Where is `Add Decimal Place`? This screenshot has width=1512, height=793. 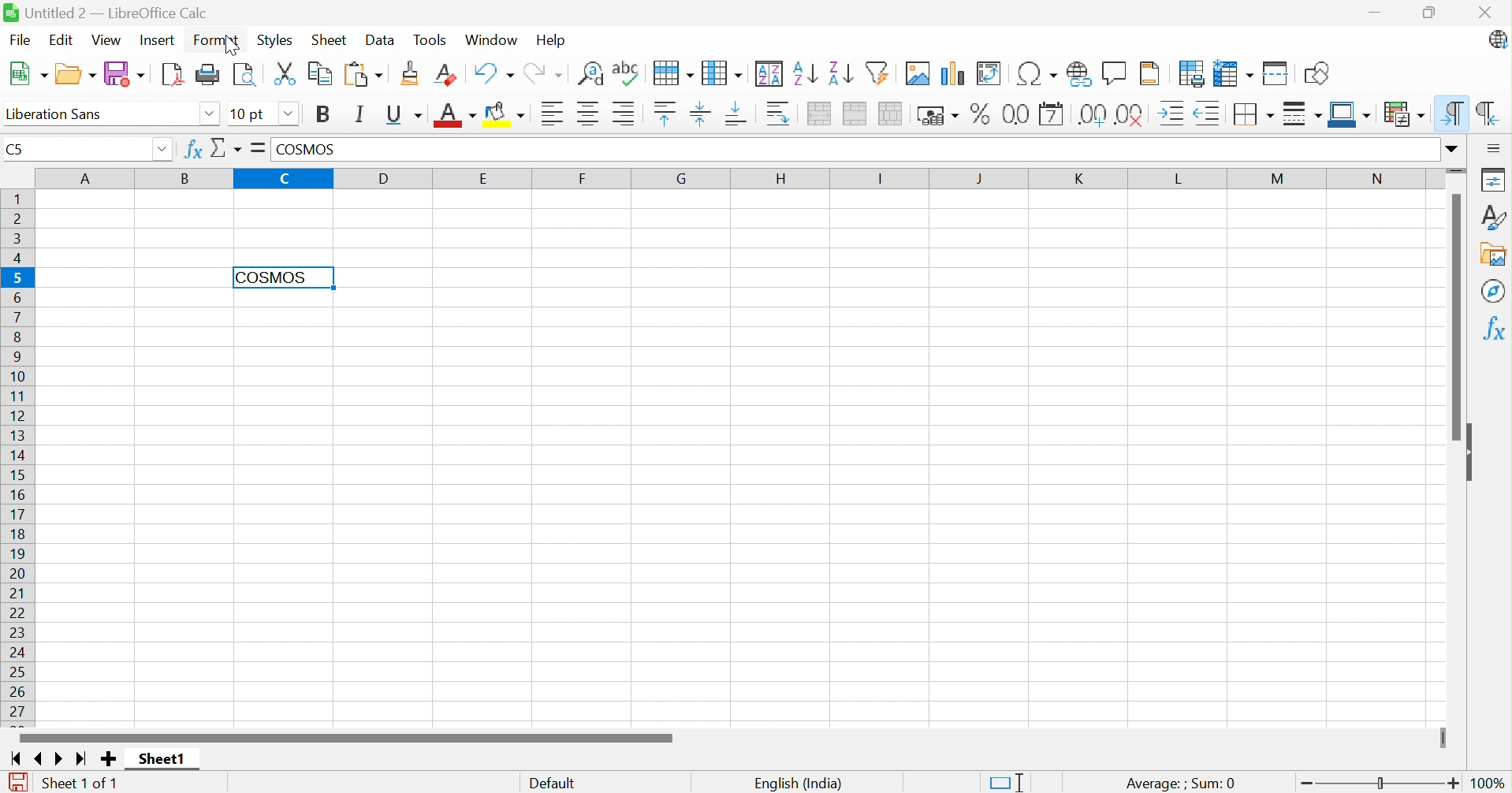
Add Decimal Place is located at coordinates (1094, 114).